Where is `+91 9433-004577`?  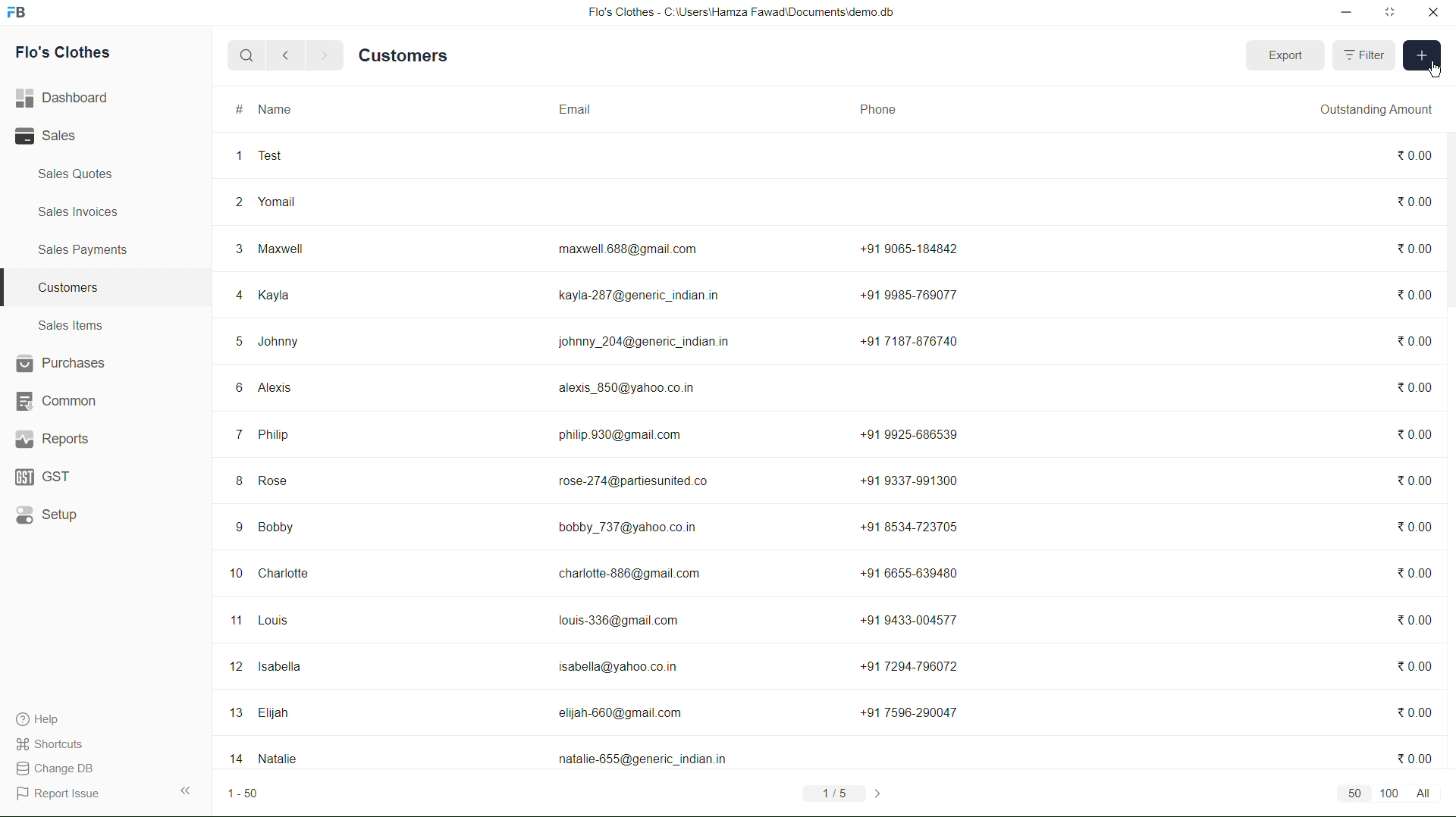
+91 9433-004577 is located at coordinates (907, 614).